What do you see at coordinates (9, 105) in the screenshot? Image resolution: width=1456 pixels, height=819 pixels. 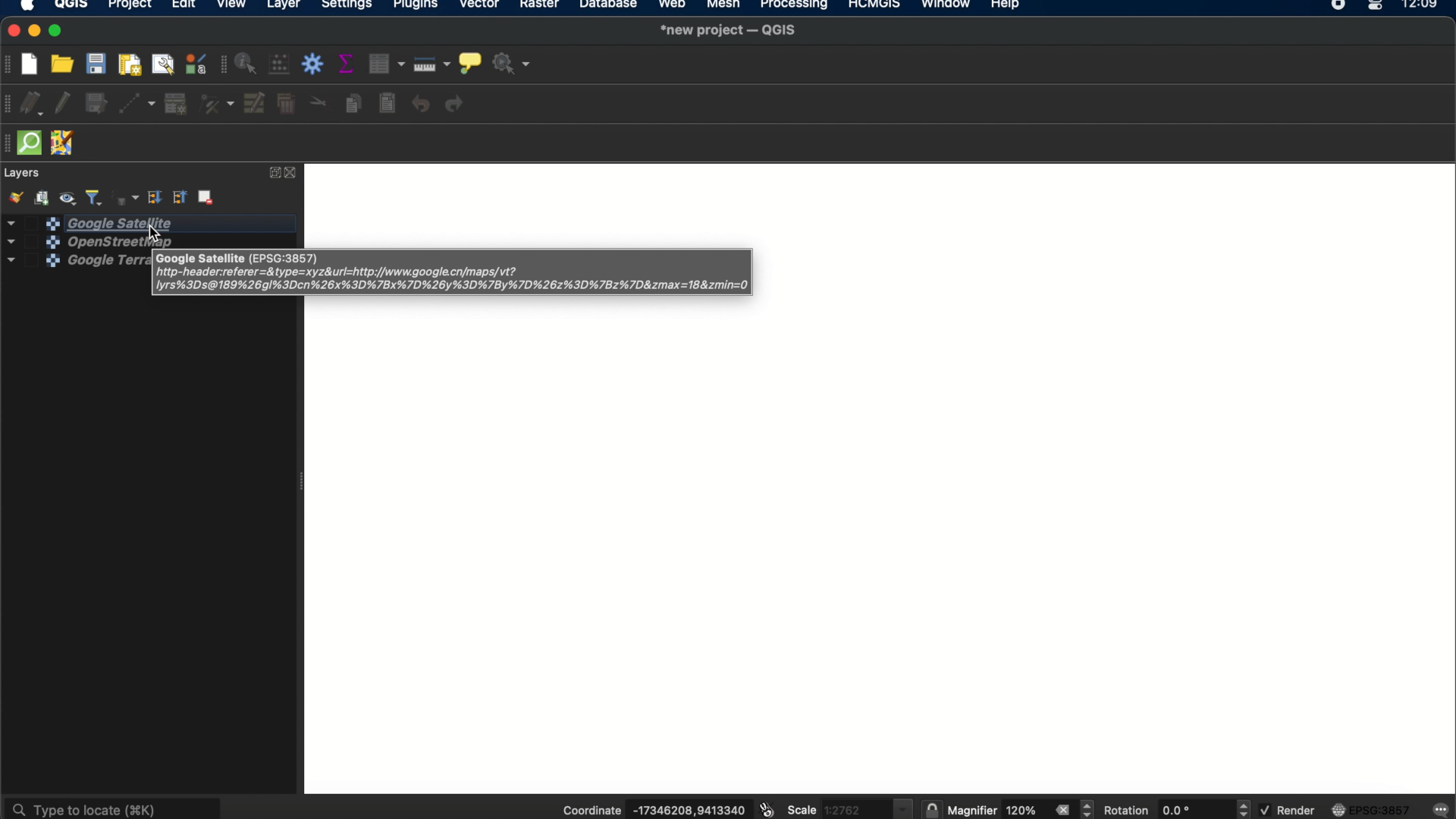 I see `digitizing toolbar` at bounding box center [9, 105].